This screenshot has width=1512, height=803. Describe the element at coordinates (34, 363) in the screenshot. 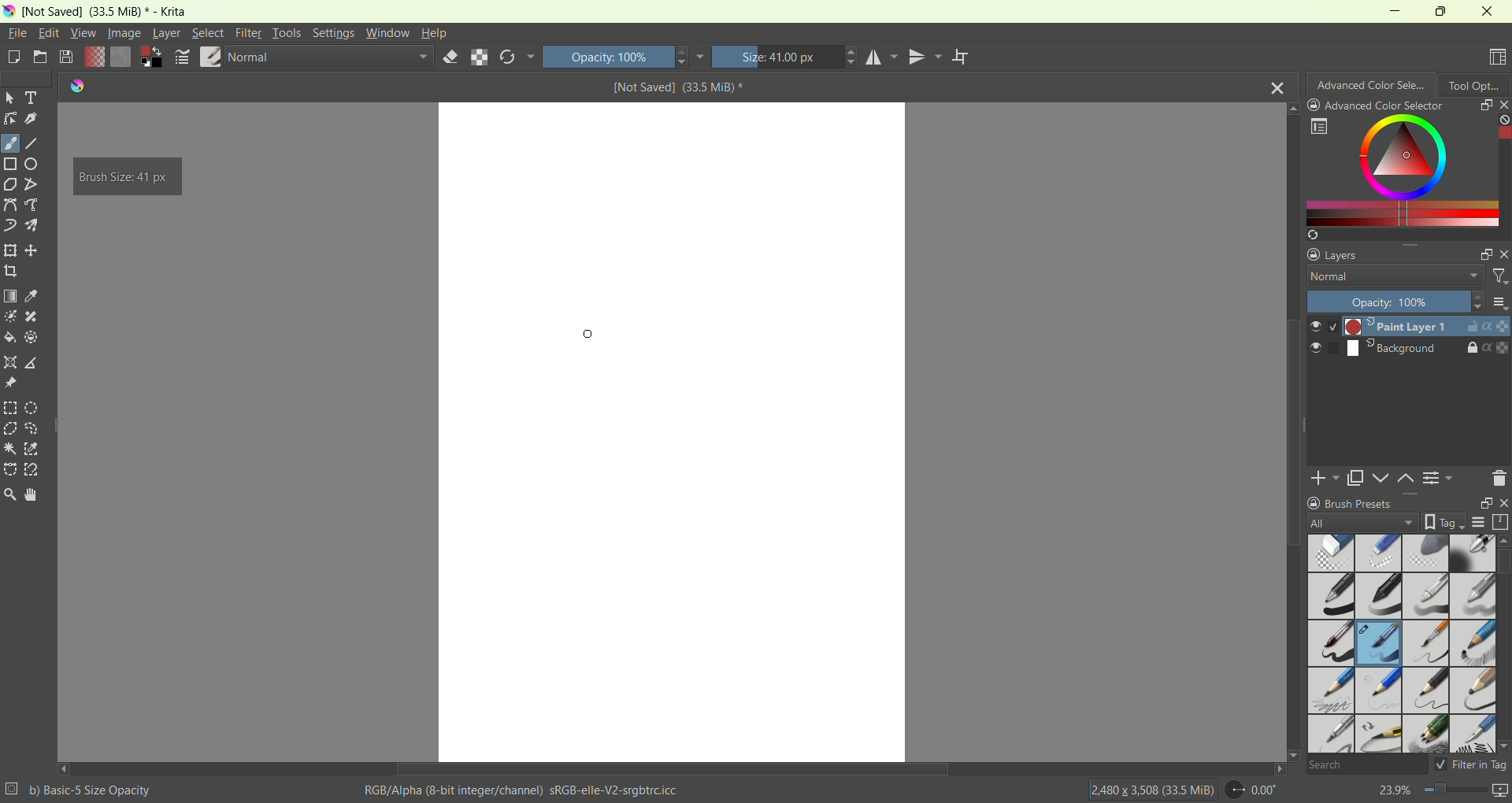

I see `measure distance between two points` at that location.